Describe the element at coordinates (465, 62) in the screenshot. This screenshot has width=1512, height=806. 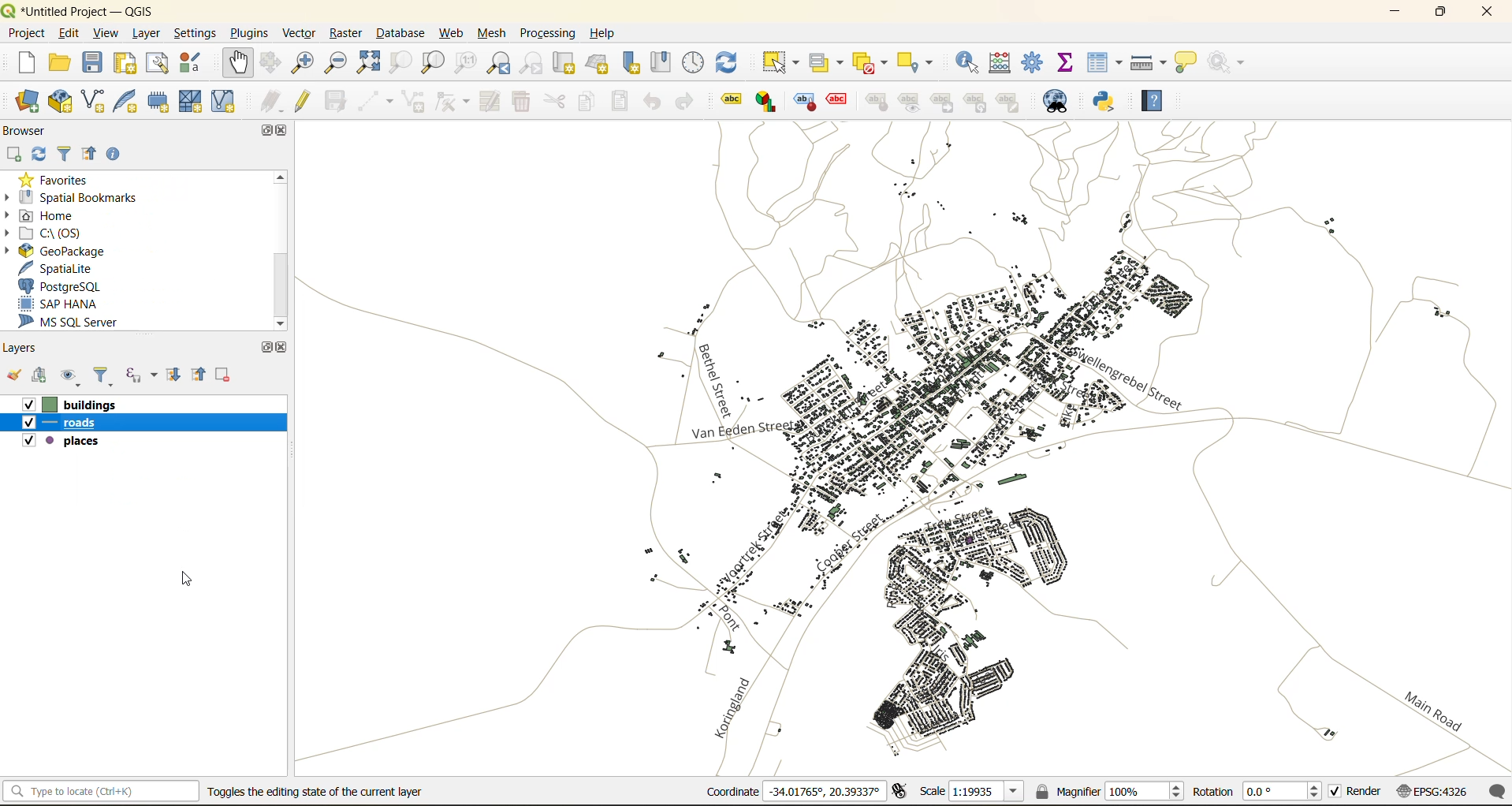
I see `zoom native` at that location.